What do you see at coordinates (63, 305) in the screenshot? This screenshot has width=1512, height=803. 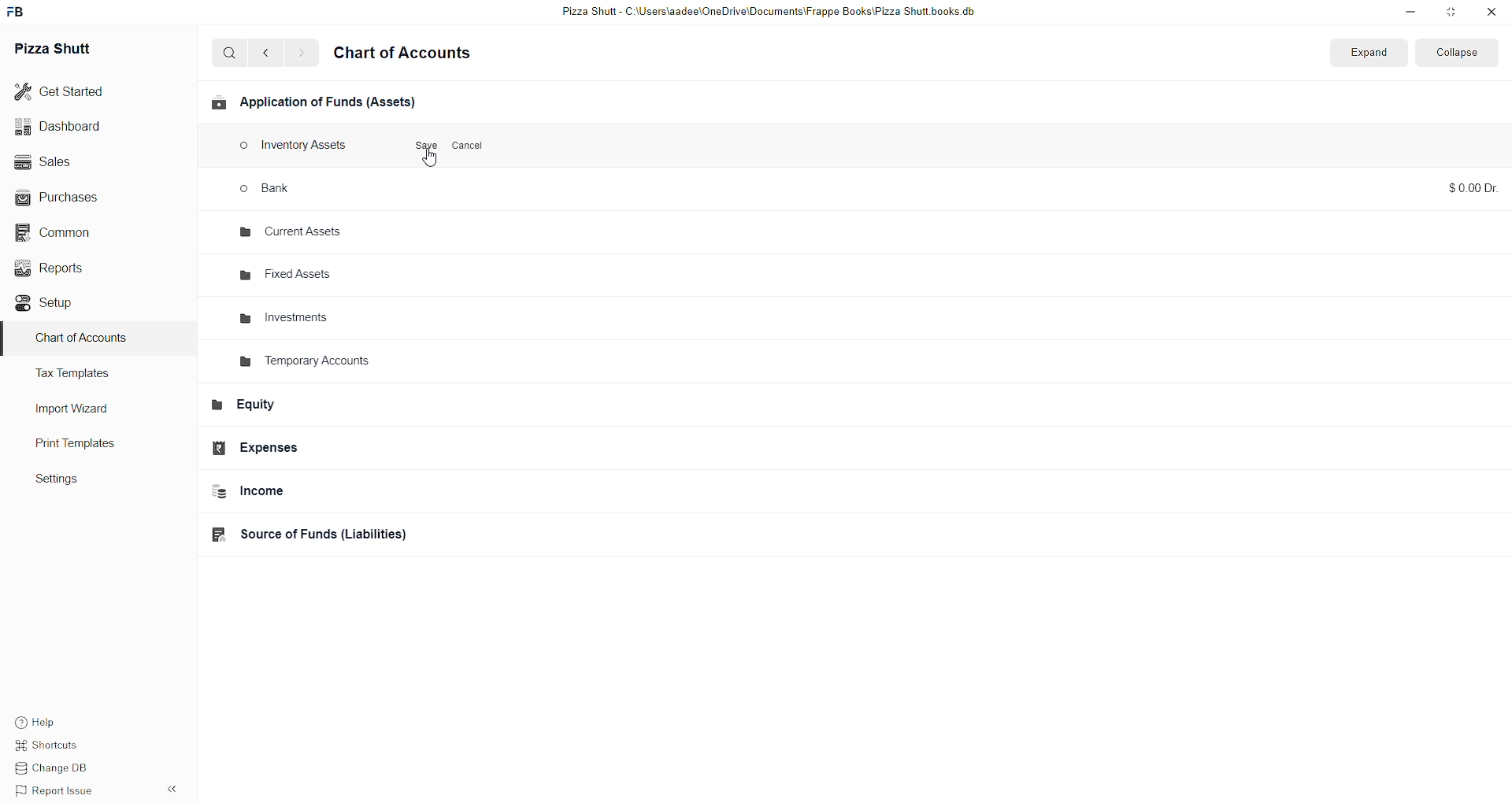 I see `Setup ` at bounding box center [63, 305].